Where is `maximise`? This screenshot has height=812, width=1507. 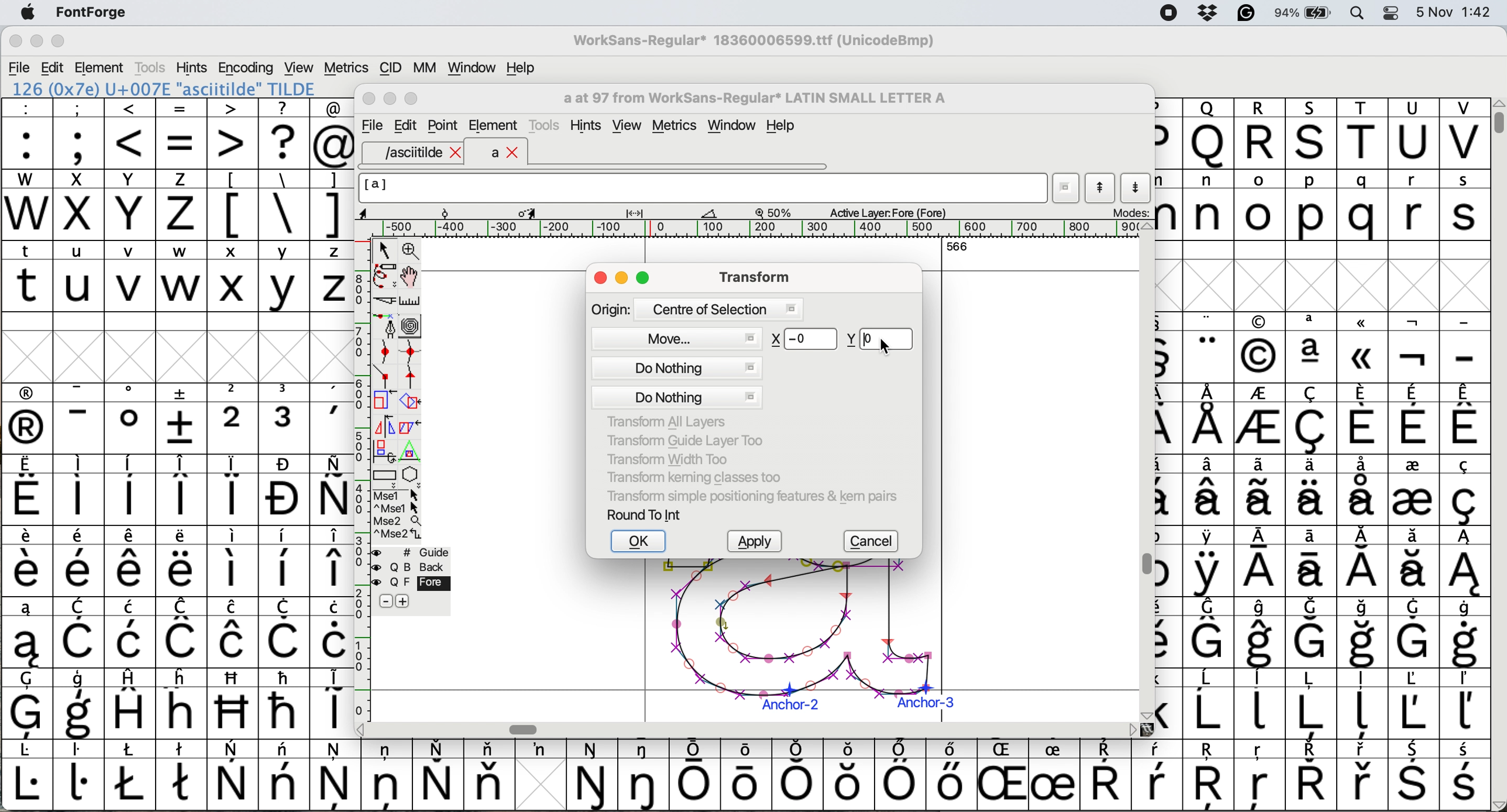 maximise is located at coordinates (59, 44).